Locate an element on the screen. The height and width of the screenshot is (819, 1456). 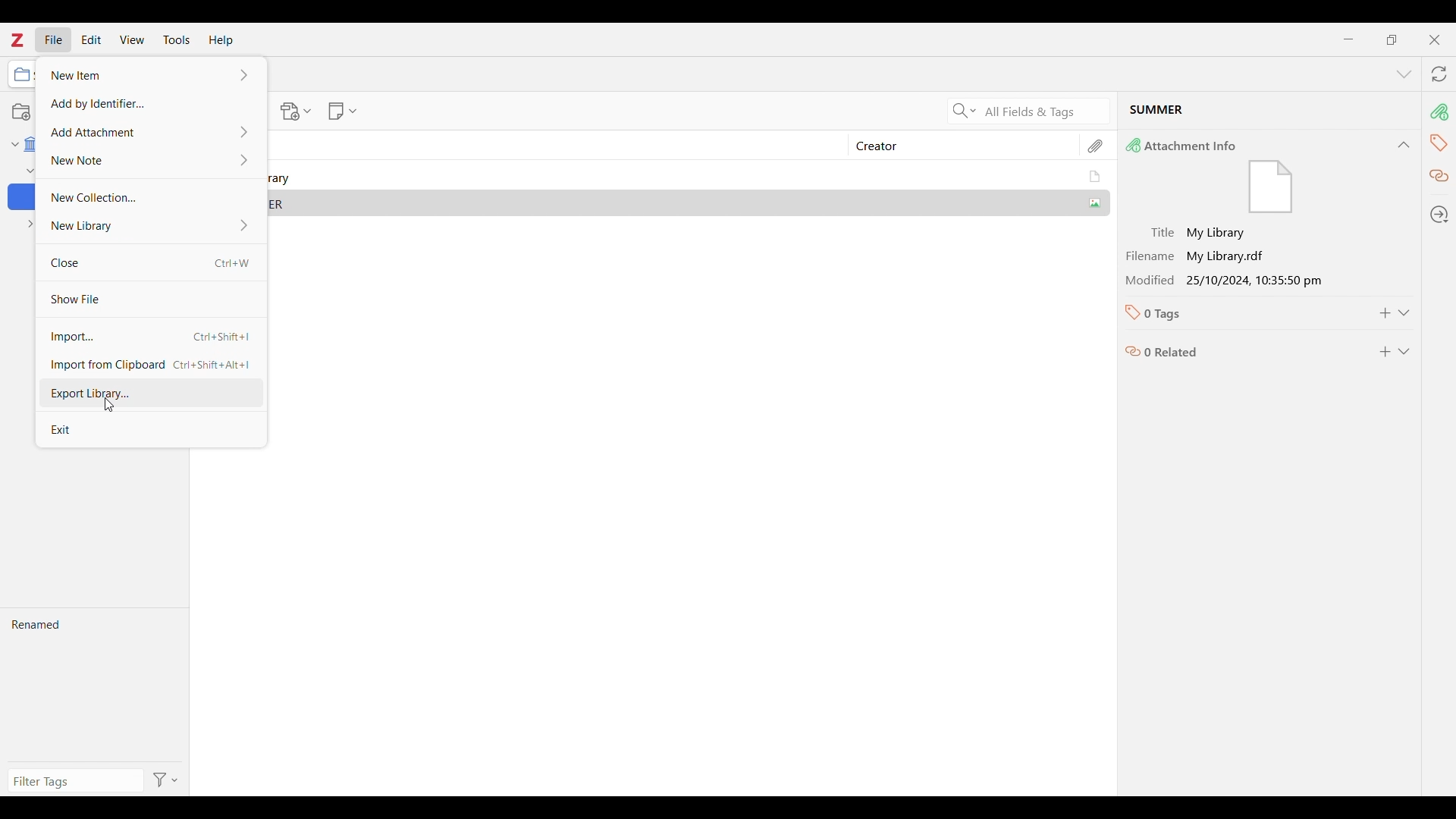
0 Tags is located at coordinates (1238, 313).